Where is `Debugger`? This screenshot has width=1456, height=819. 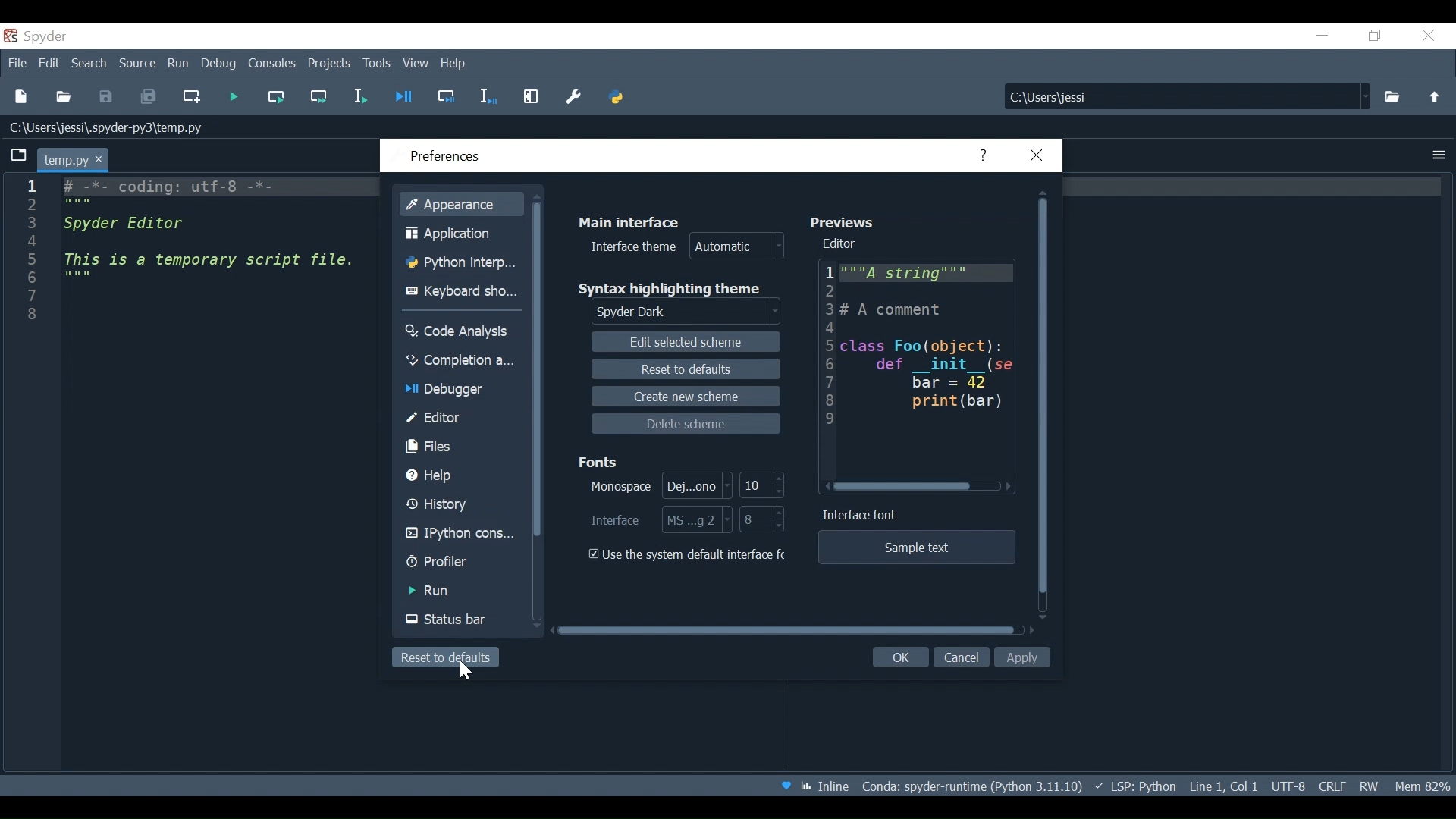 Debugger is located at coordinates (462, 391).